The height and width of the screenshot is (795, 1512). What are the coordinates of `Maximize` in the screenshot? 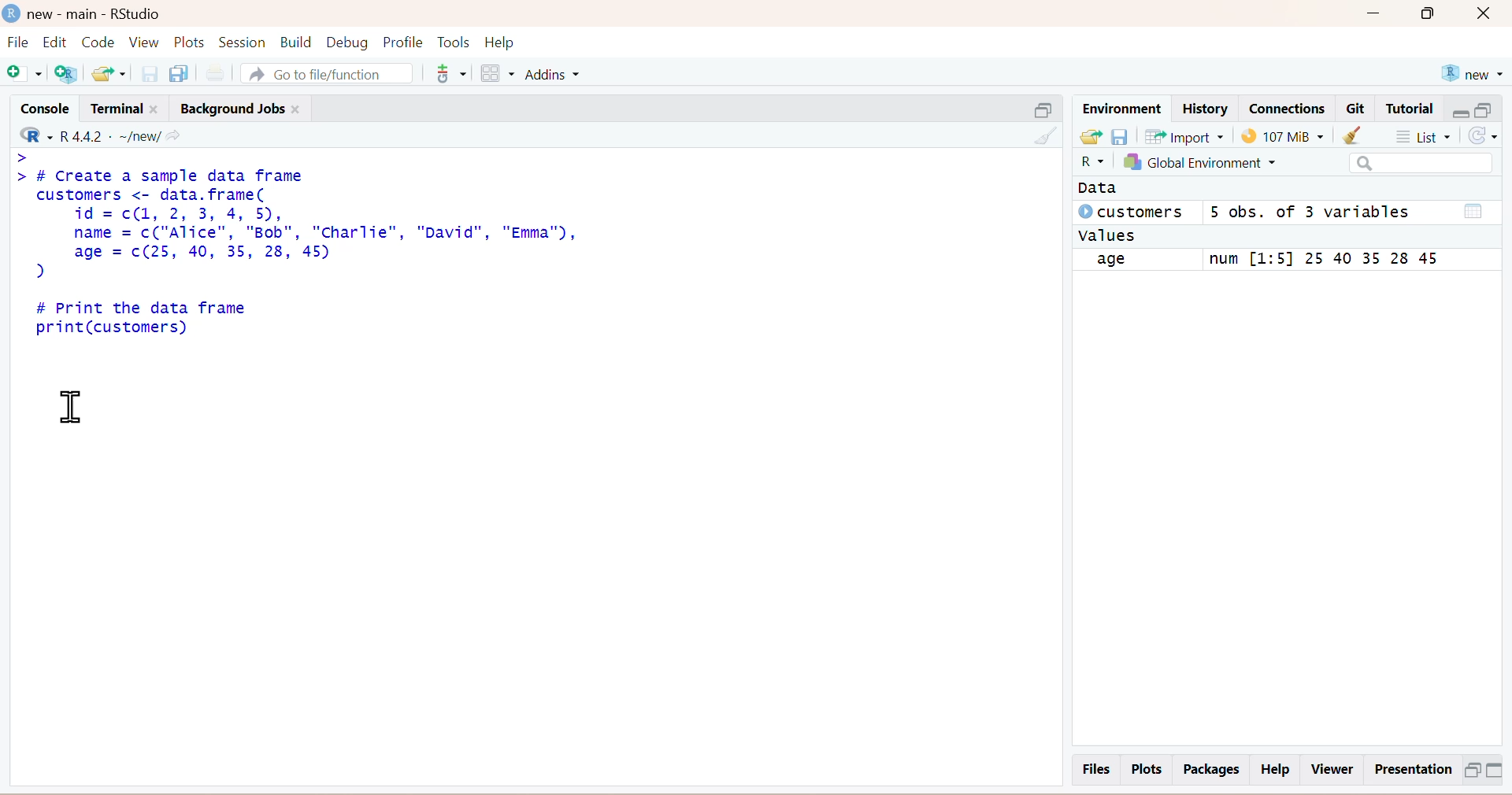 It's located at (1471, 769).